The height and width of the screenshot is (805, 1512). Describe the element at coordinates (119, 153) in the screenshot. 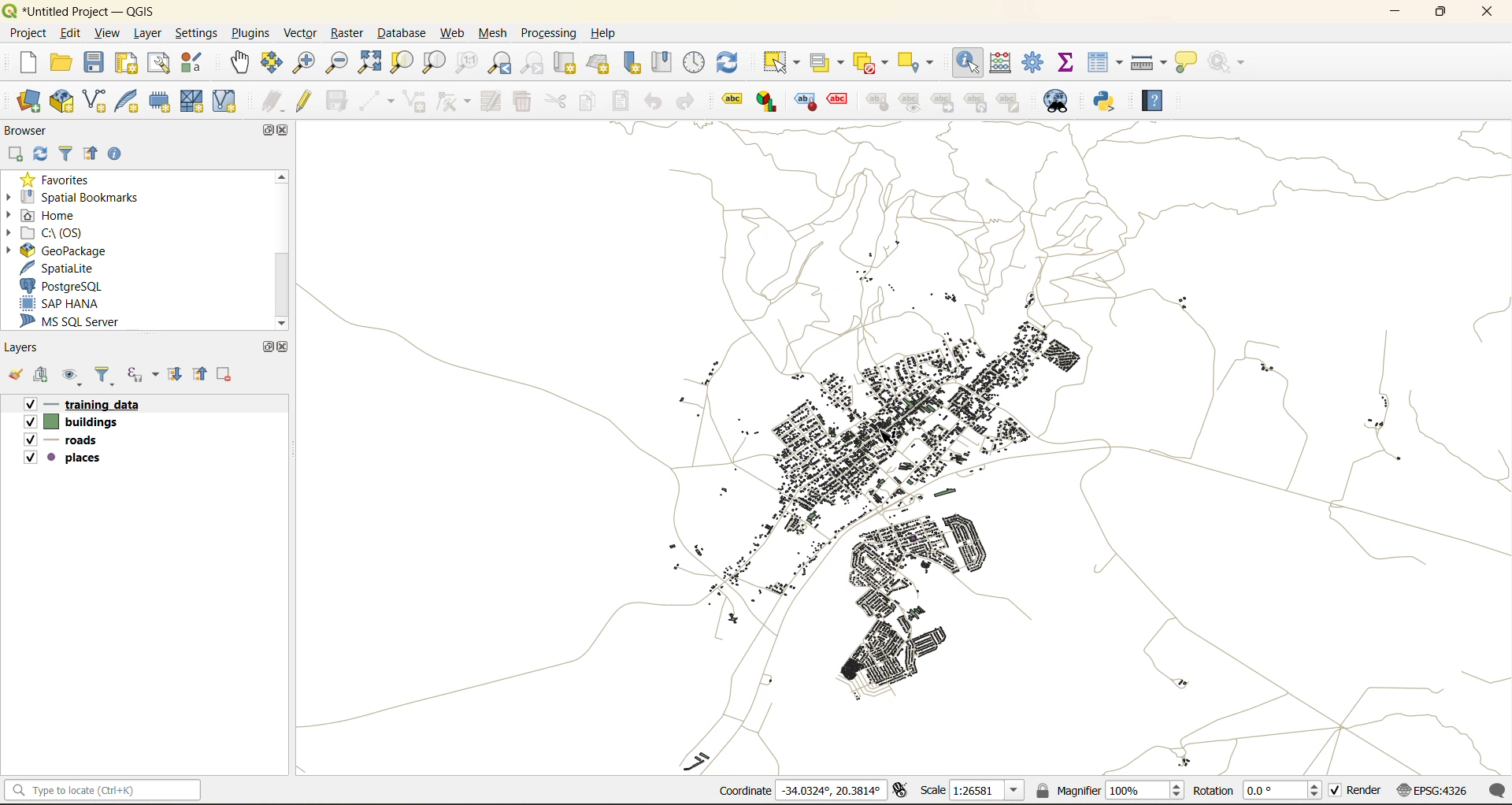

I see `enable properties` at that location.